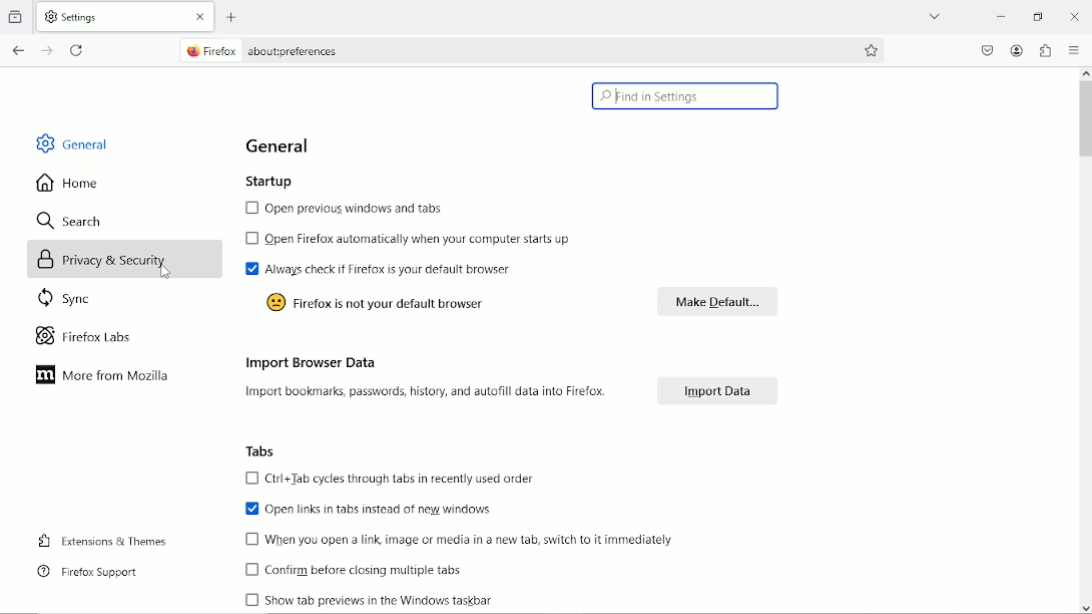  Describe the element at coordinates (84, 572) in the screenshot. I see `firefox support` at that location.